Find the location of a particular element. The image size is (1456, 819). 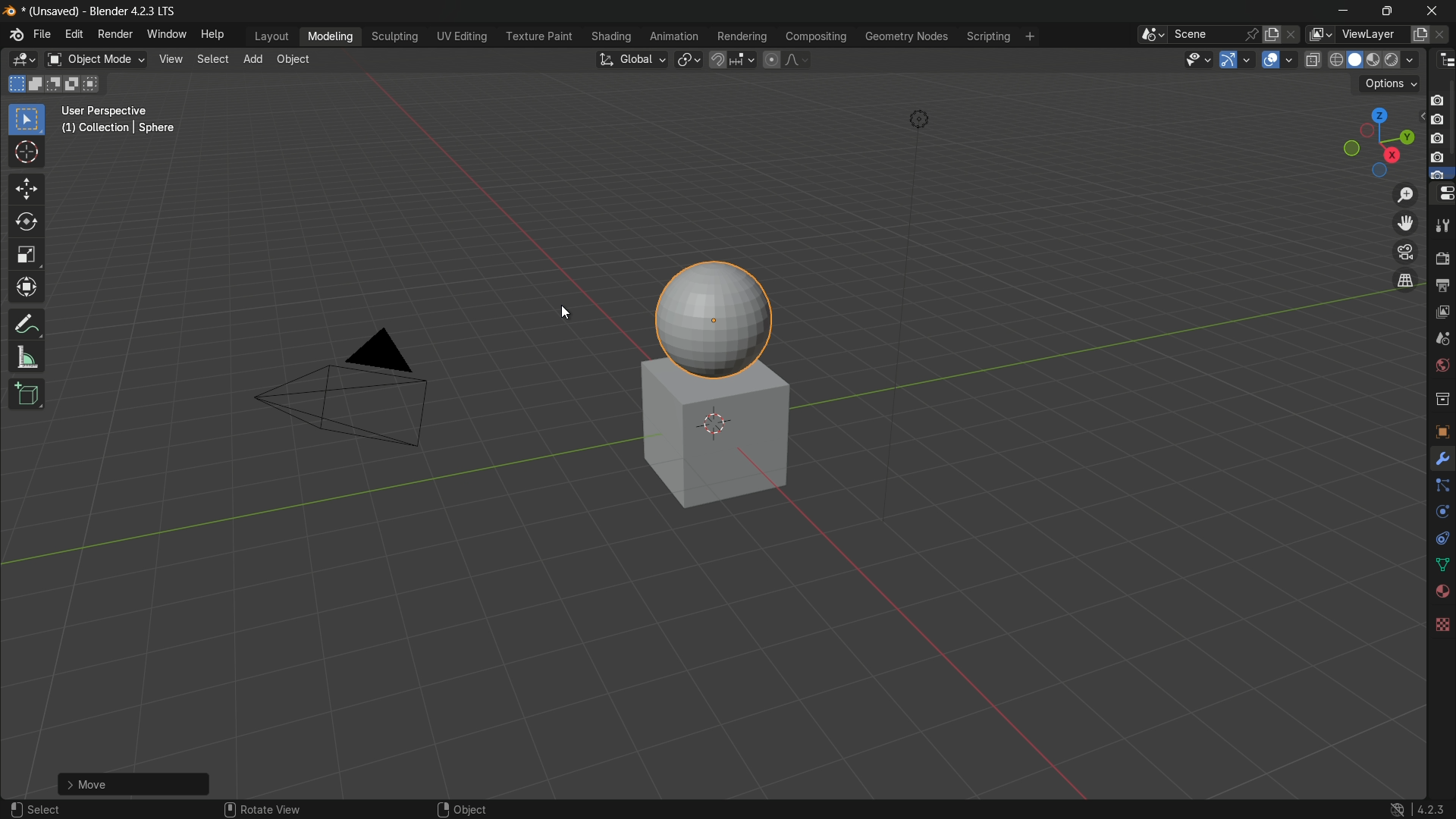

show gizmo is located at coordinates (1229, 60).